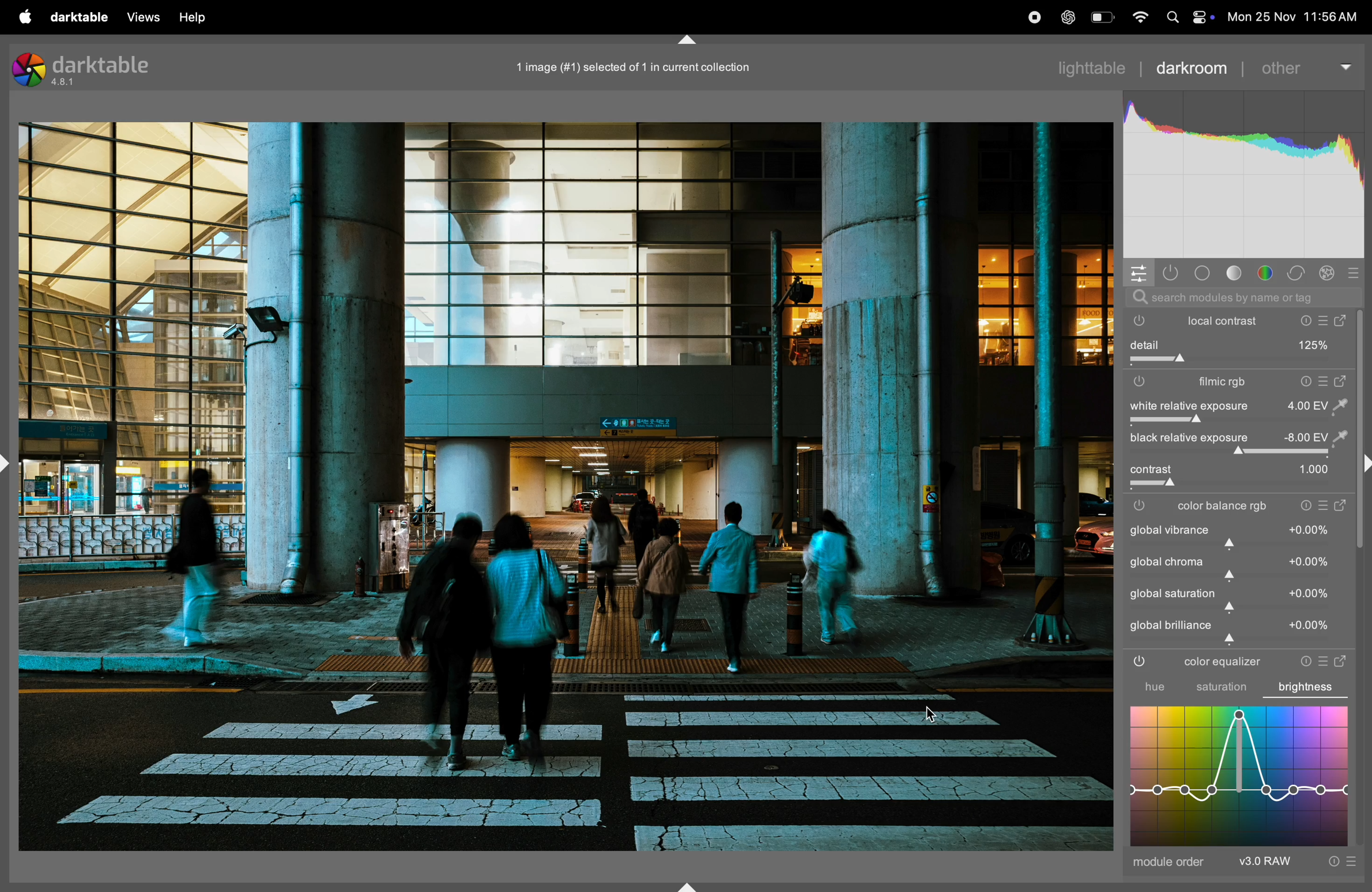 Image resolution: width=1372 pixels, height=892 pixels. What do you see at coordinates (650, 67) in the screenshot?
I see `image title` at bounding box center [650, 67].